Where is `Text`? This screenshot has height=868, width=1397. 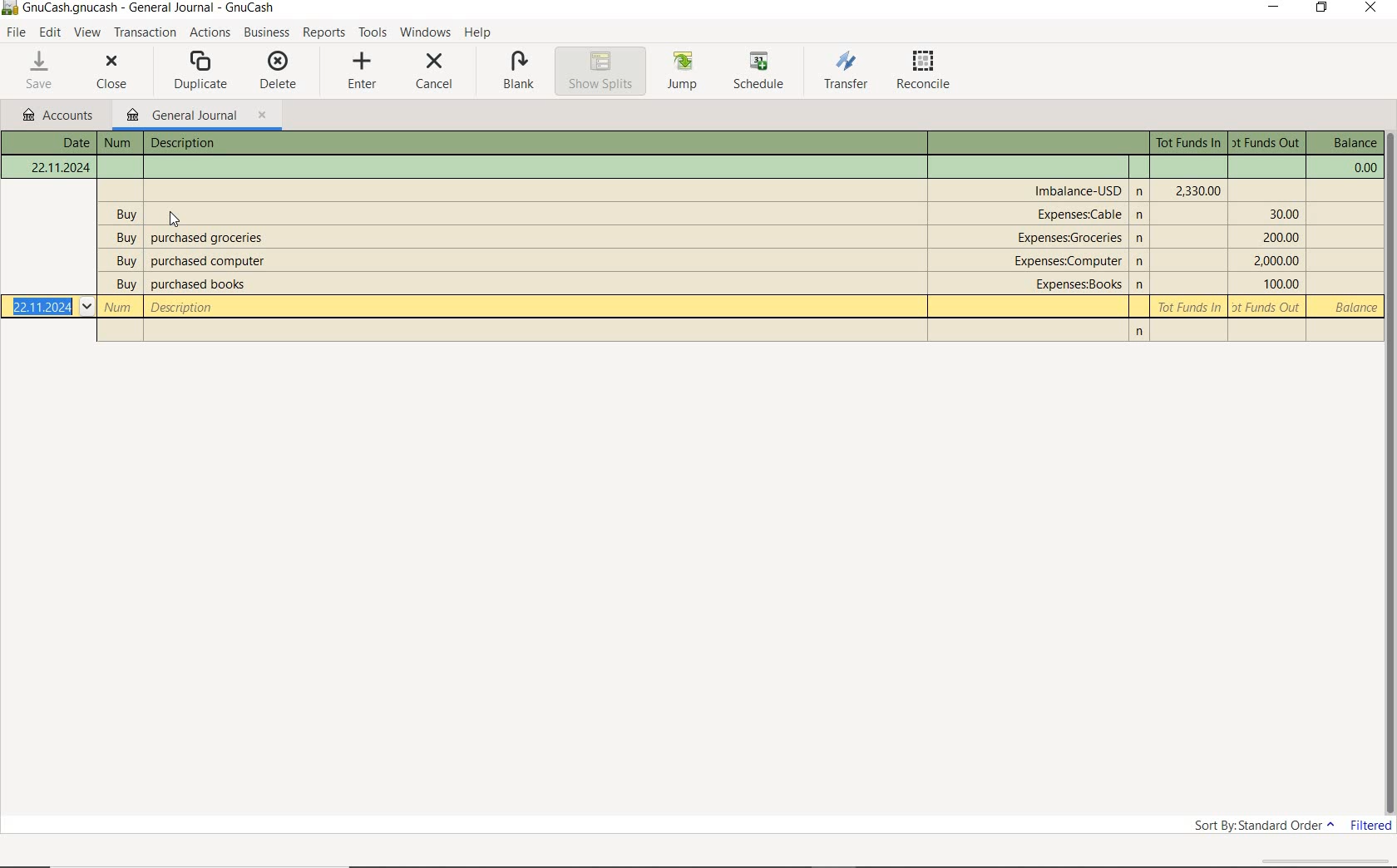
Text is located at coordinates (120, 143).